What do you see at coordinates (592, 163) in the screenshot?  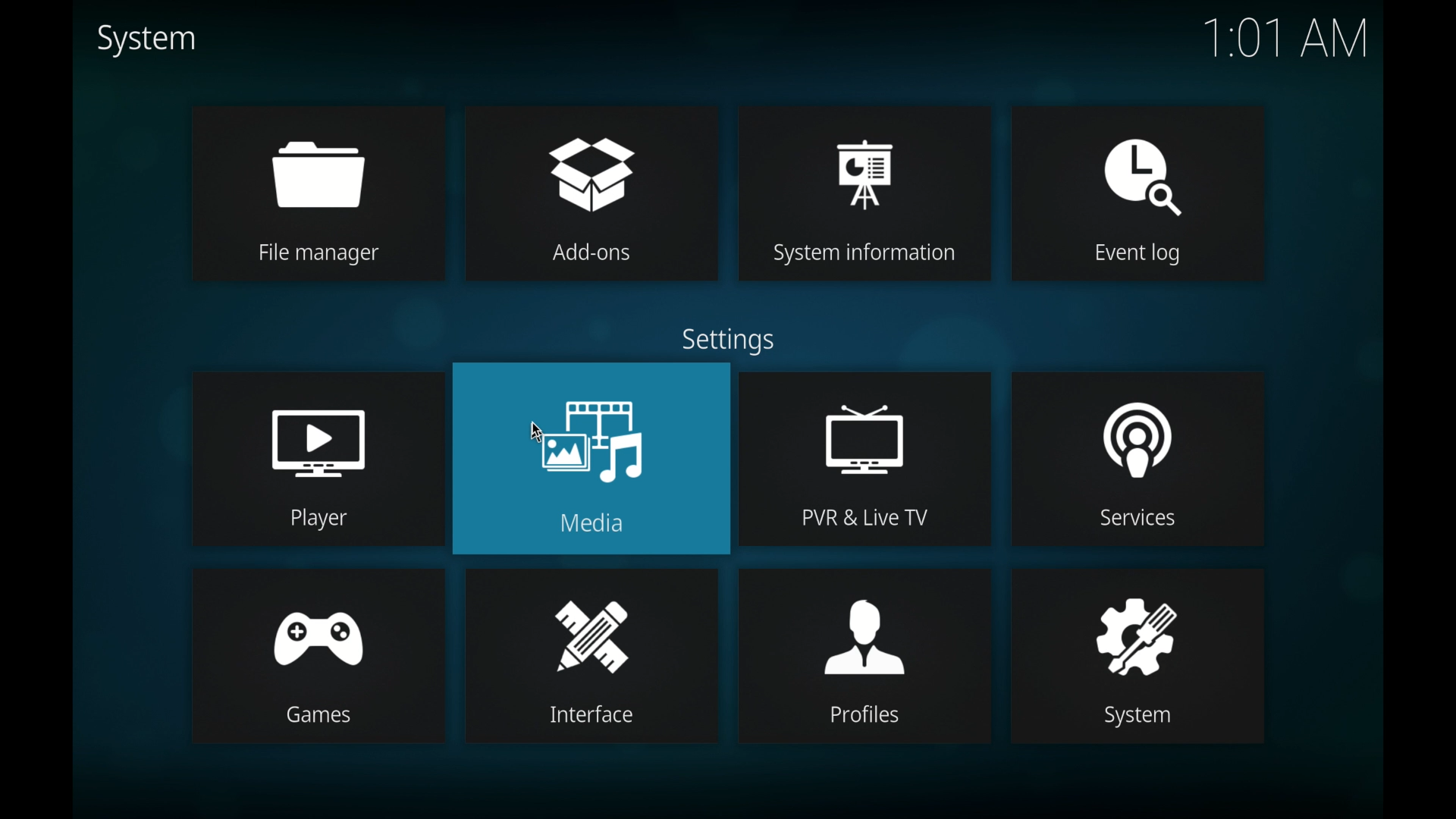 I see `add-ons` at bounding box center [592, 163].